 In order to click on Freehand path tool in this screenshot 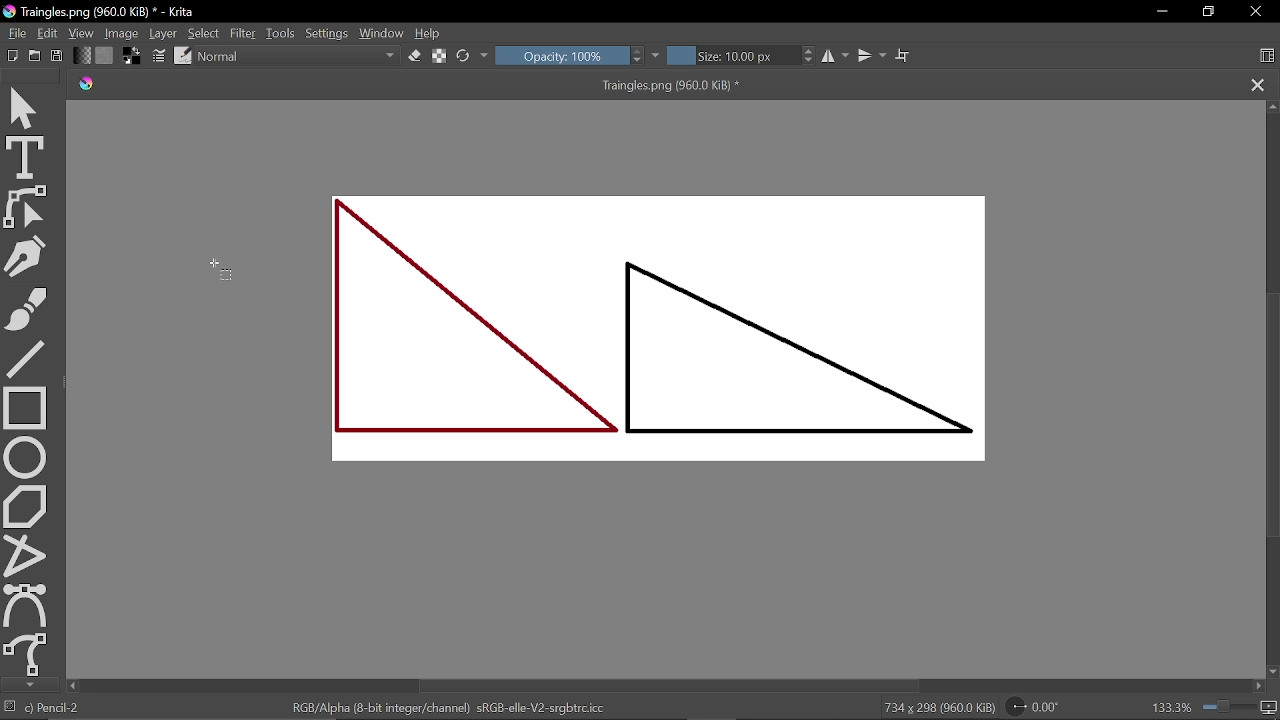, I will do `click(27, 653)`.